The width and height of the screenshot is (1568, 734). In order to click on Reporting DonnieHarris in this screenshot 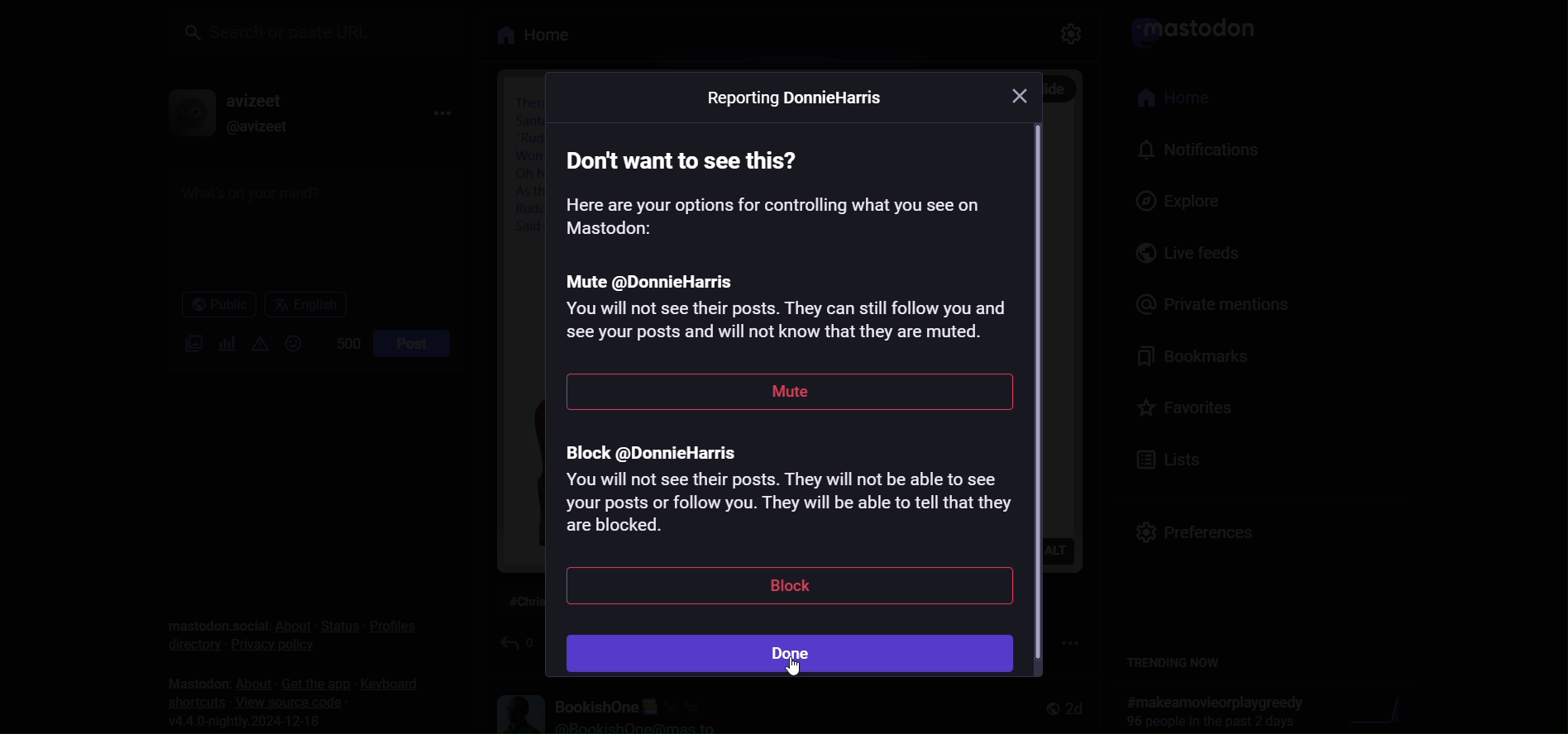, I will do `click(796, 100)`.